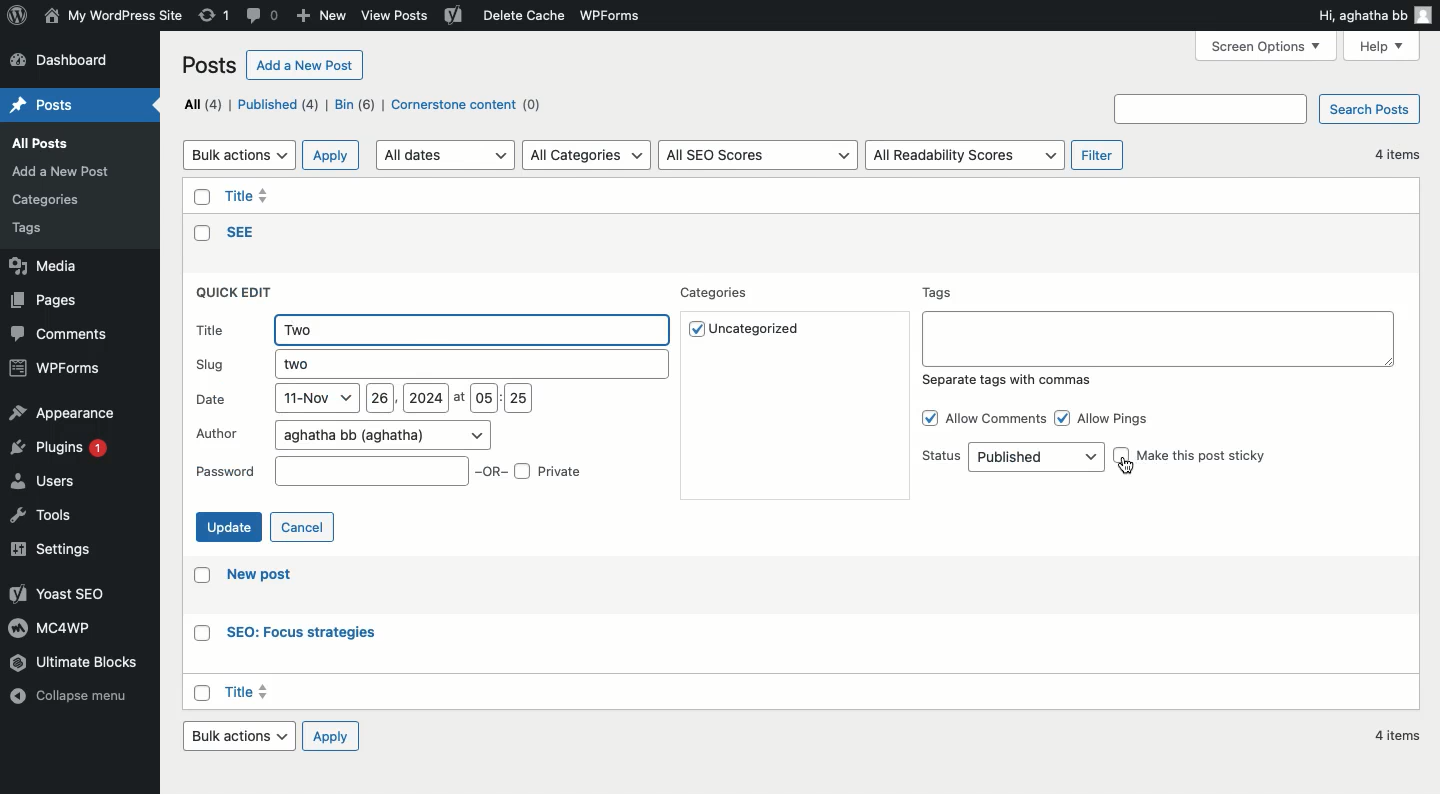  I want to click on Comment, so click(264, 14).